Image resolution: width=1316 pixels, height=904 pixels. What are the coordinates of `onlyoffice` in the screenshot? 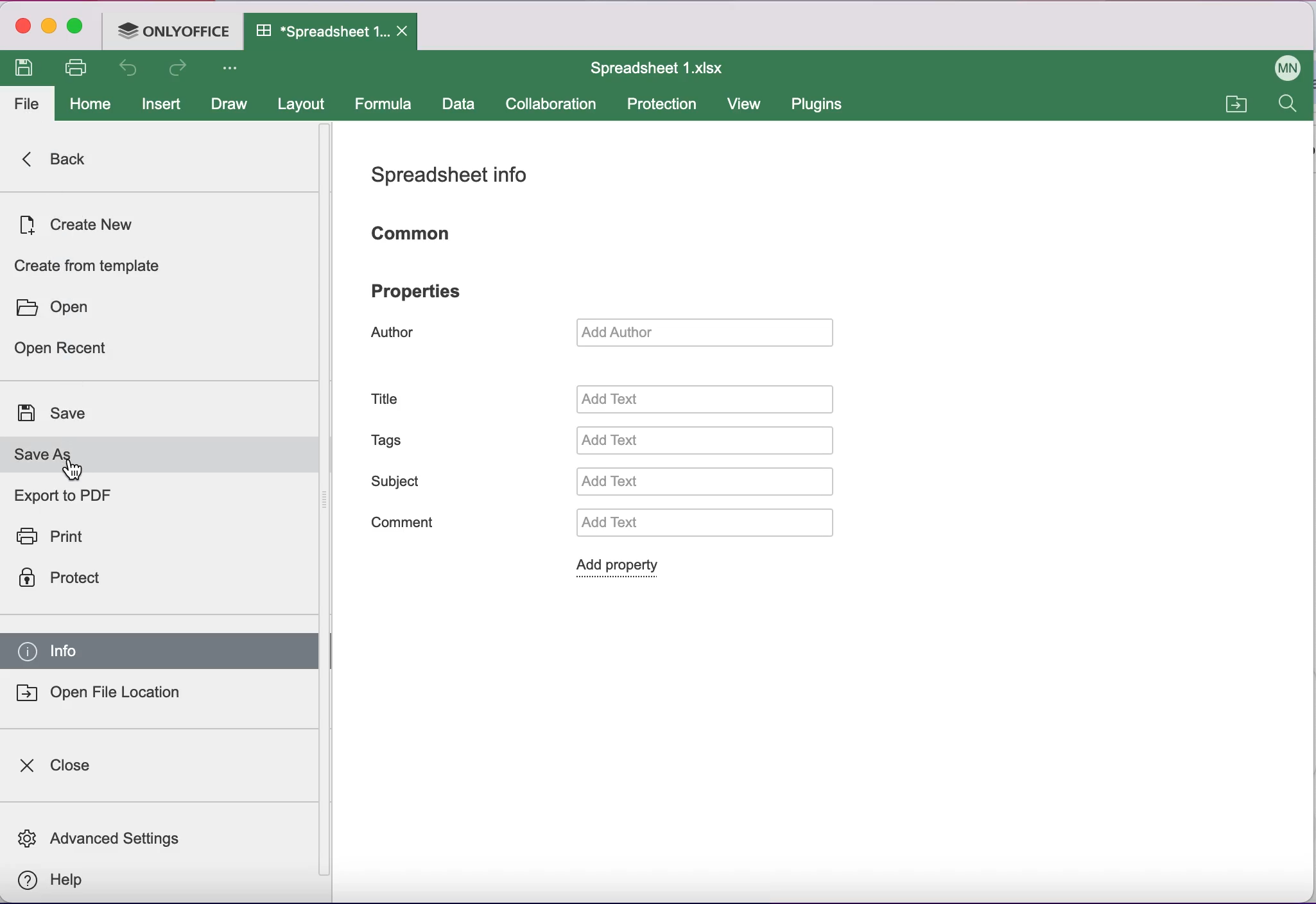 It's located at (171, 33).